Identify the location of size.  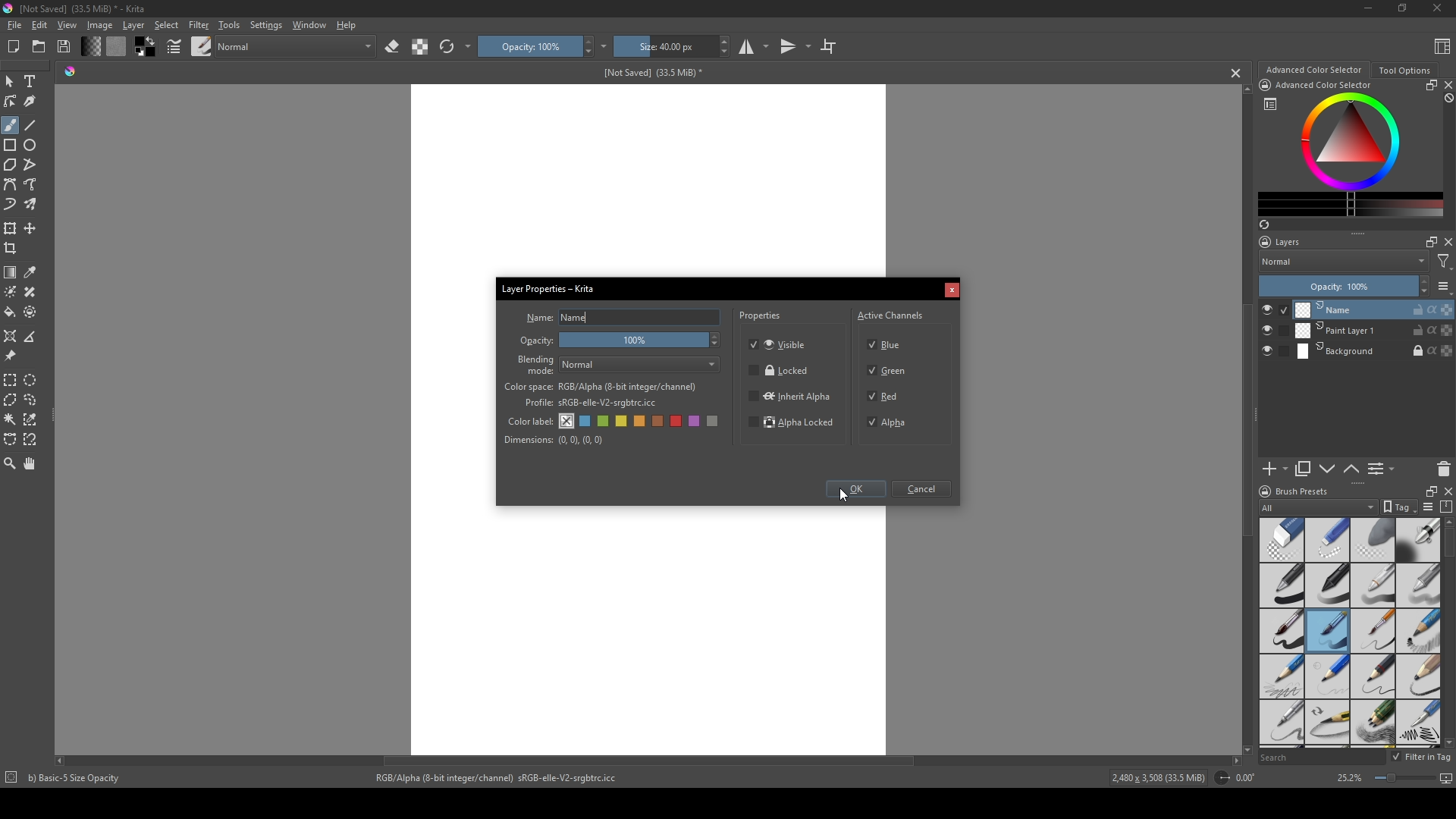
(664, 46).